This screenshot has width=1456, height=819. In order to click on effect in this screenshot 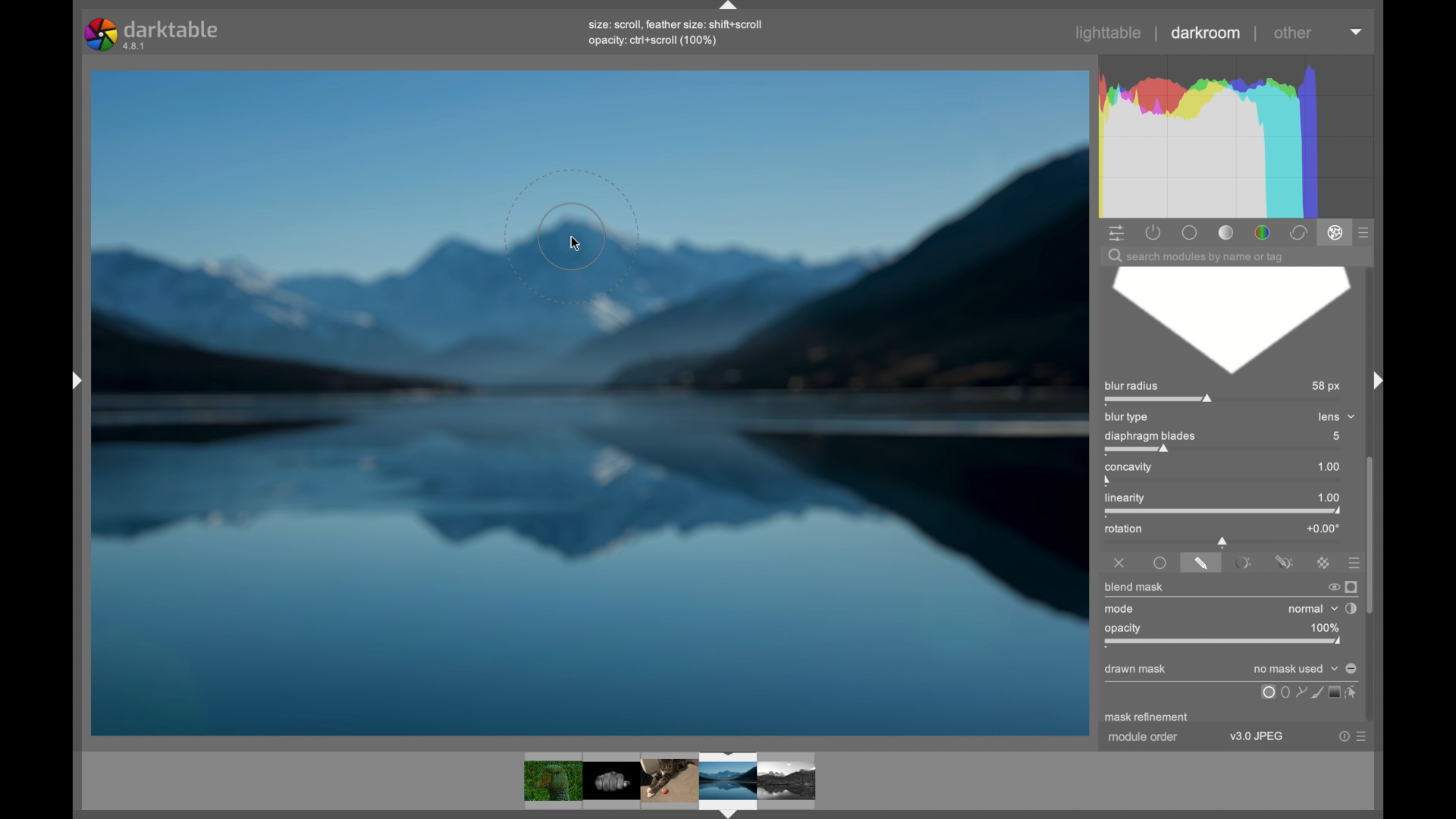, I will do `click(1335, 234)`.